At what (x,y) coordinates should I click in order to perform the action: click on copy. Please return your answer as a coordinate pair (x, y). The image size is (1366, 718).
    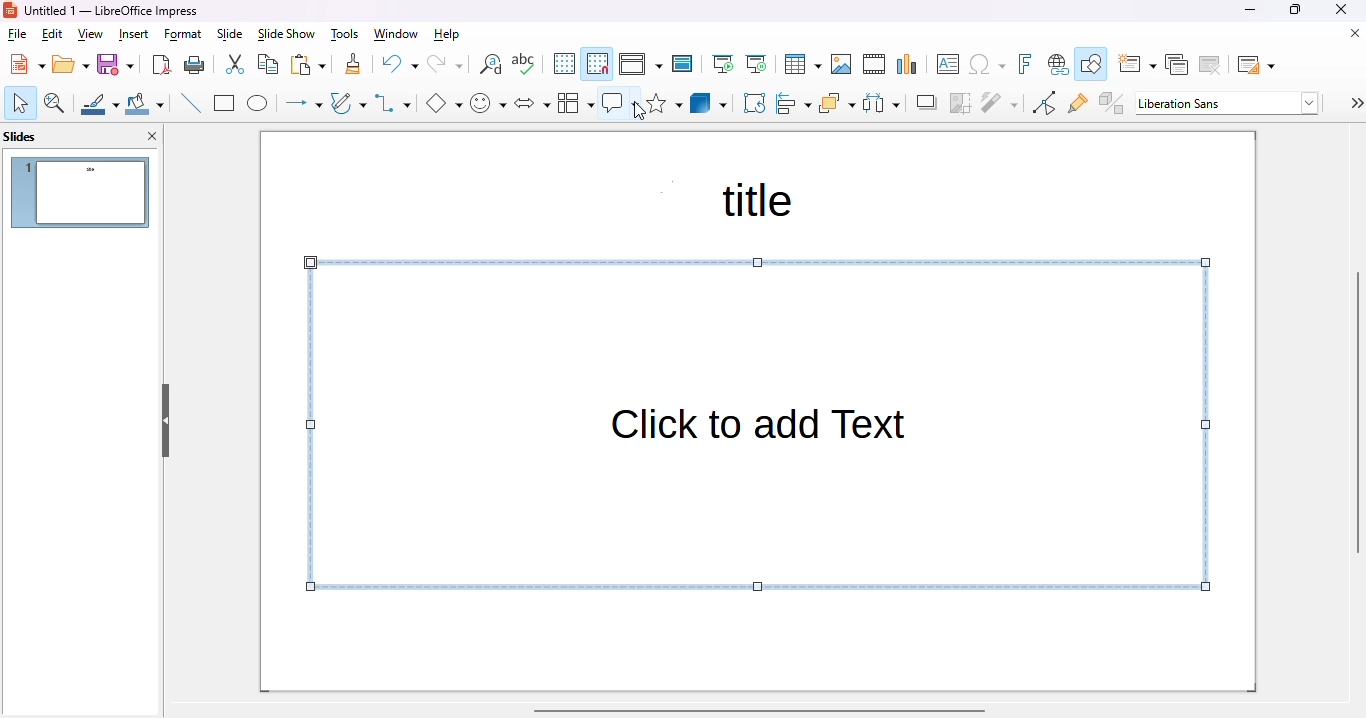
    Looking at the image, I should click on (268, 64).